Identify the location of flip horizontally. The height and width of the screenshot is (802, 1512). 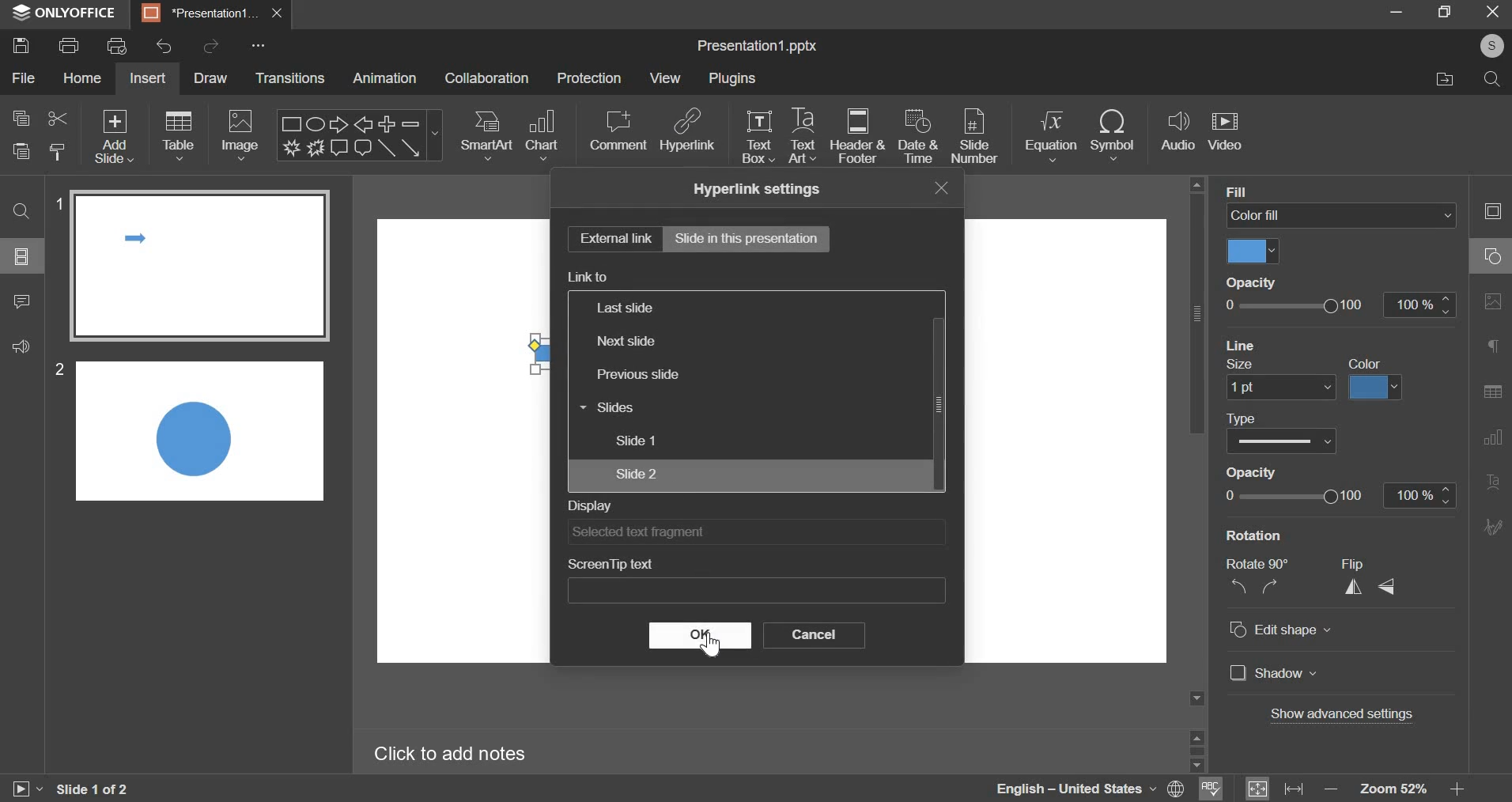
(1352, 587).